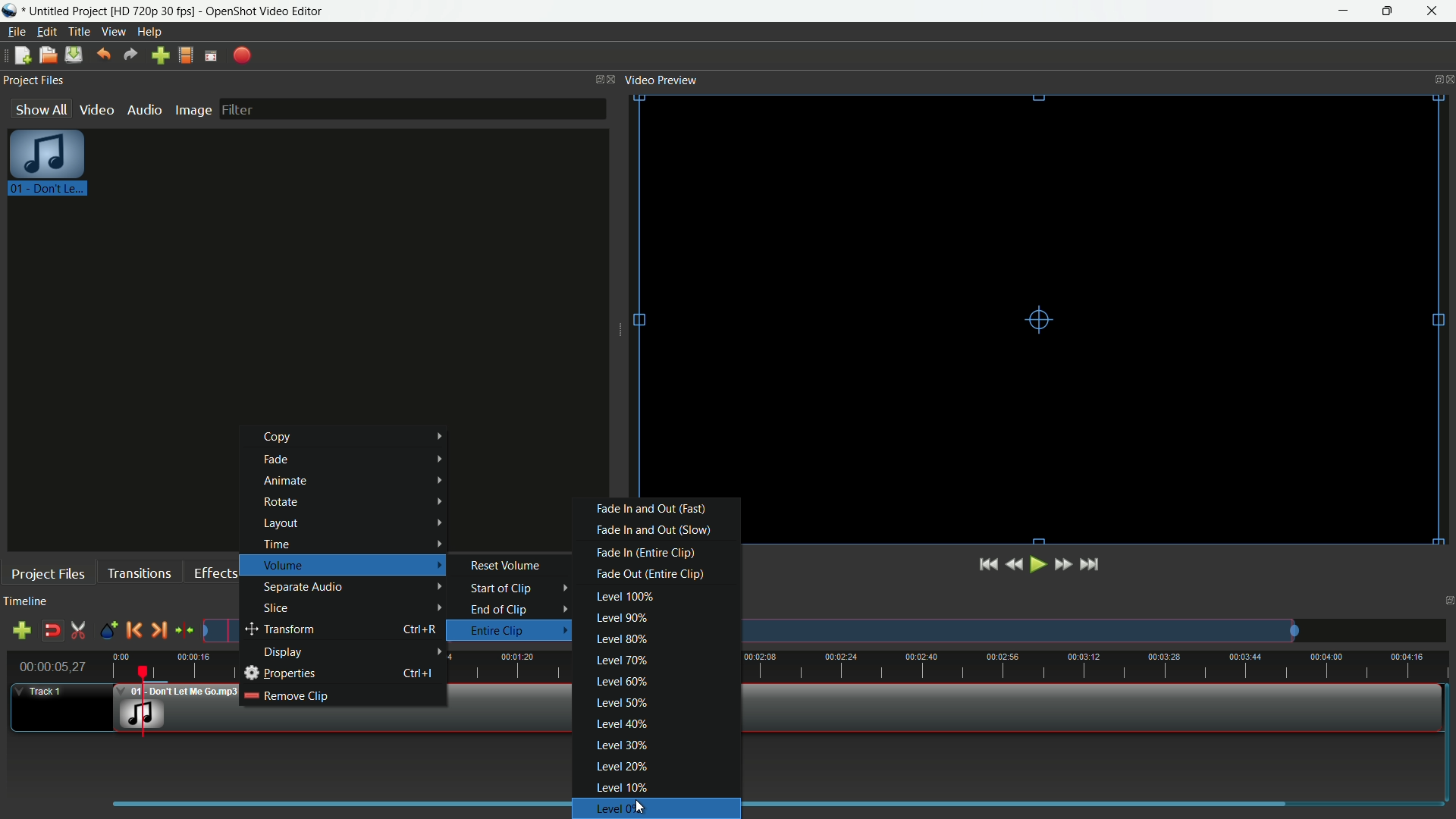 Image resolution: width=1456 pixels, height=819 pixels. Describe the element at coordinates (621, 787) in the screenshot. I see `level 10%` at that location.